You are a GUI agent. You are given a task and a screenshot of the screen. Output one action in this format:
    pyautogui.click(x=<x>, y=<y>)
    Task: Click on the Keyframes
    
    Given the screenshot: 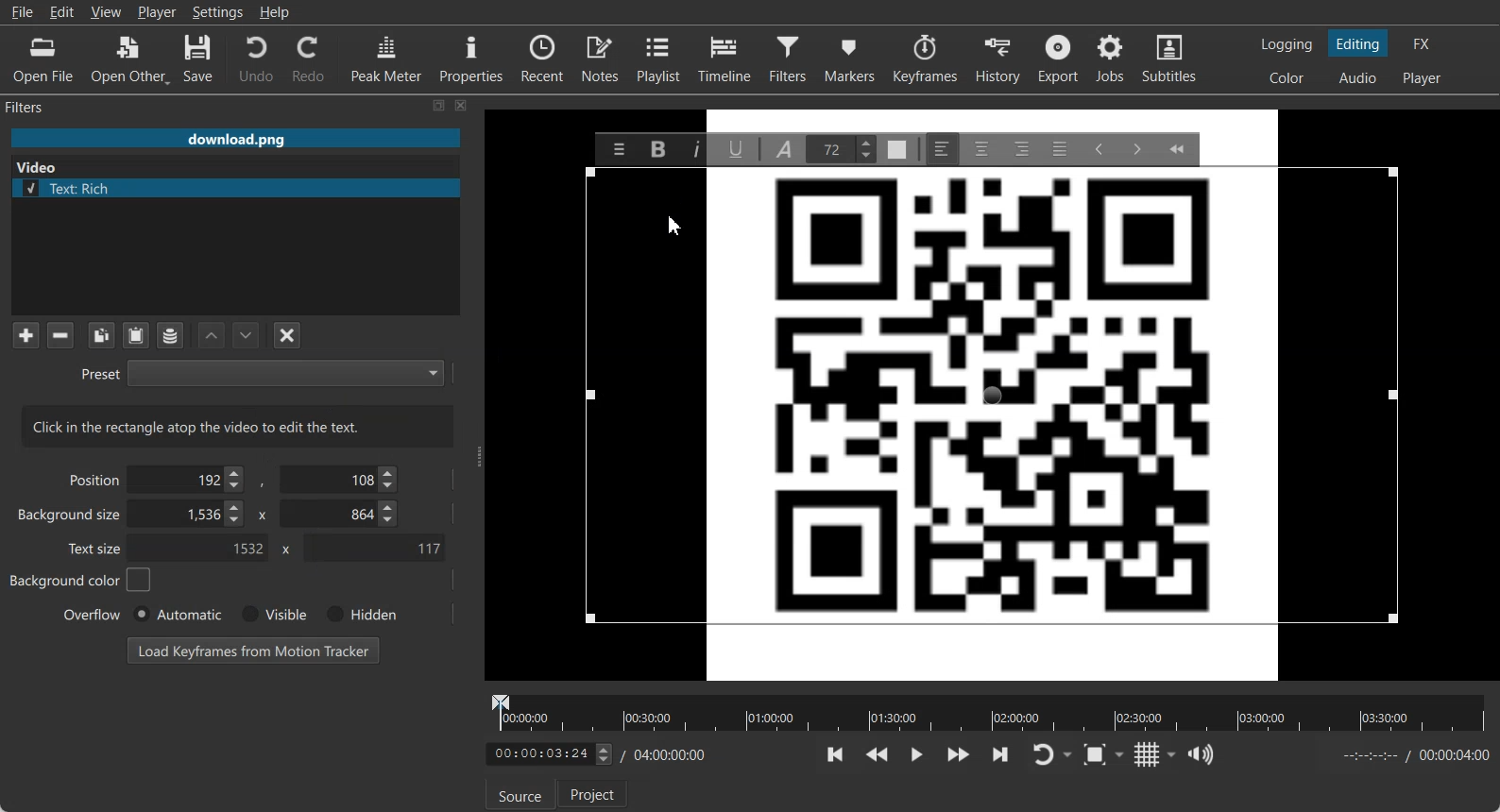 What is the action you would take?
    pyautogui.click(x=925, y=58)
    